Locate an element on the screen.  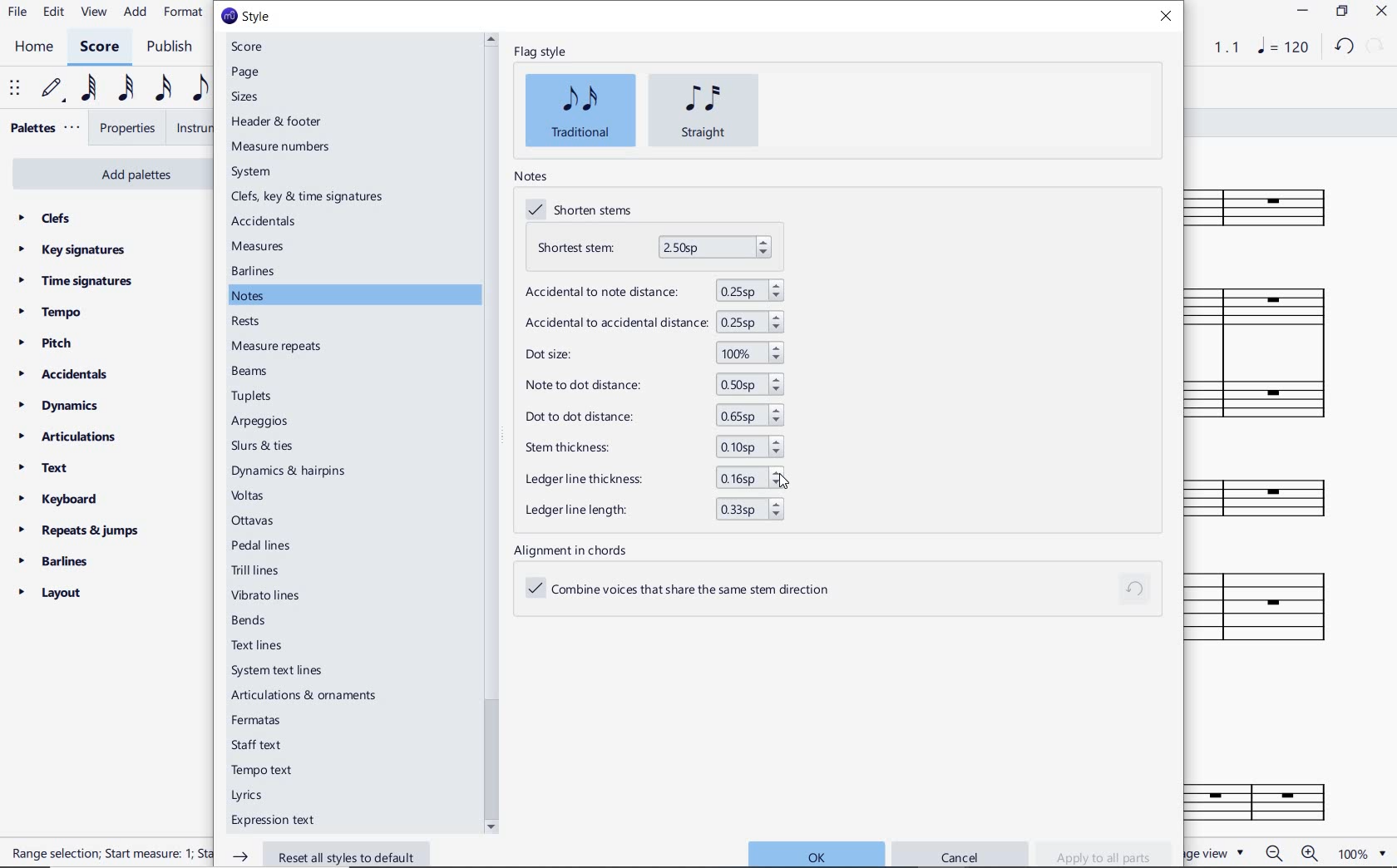
default (step time) is located at coordinates (53, 91).